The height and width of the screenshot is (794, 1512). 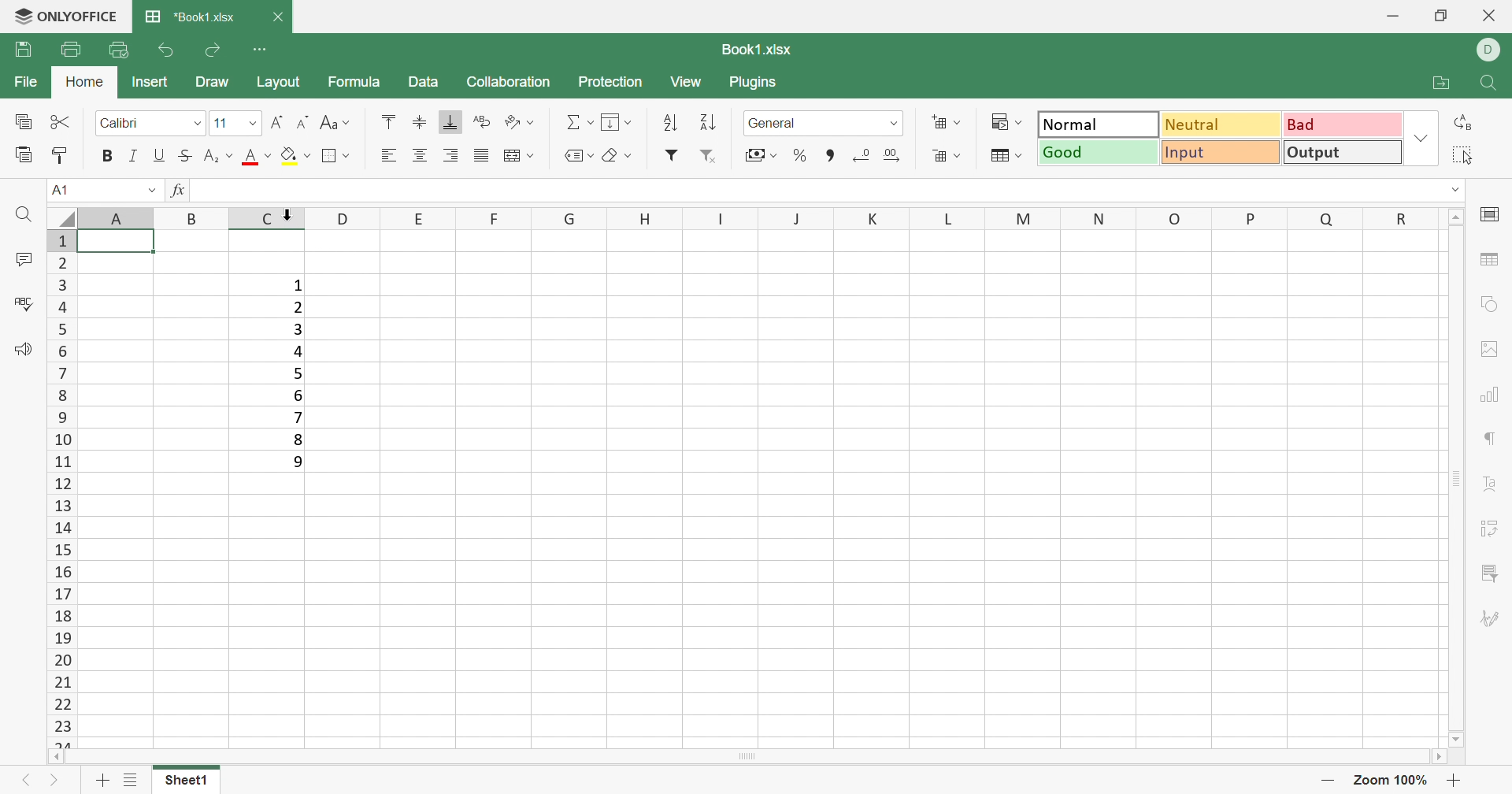 What do you see at coordinates (61, 189) in the screenshot?
I see `A1` at bounding box center [61, 189].